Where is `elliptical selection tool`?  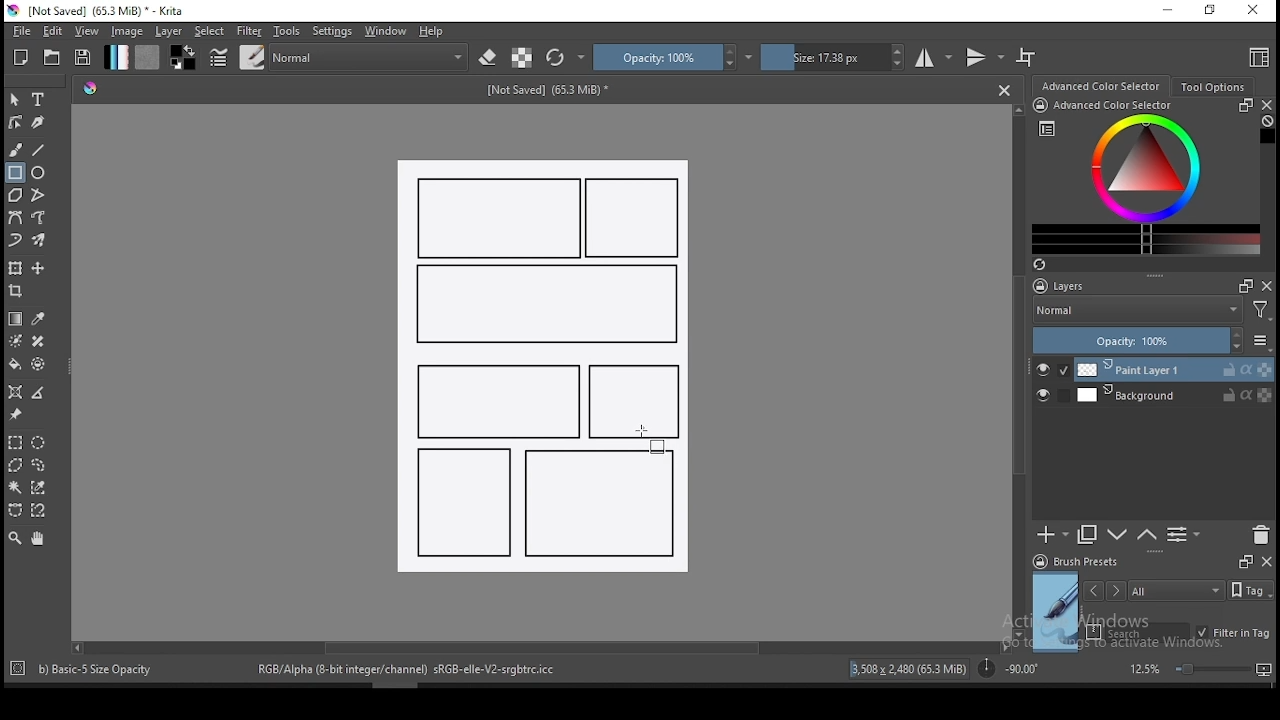 elliptical selection tool is located at coordinates (38, 443).